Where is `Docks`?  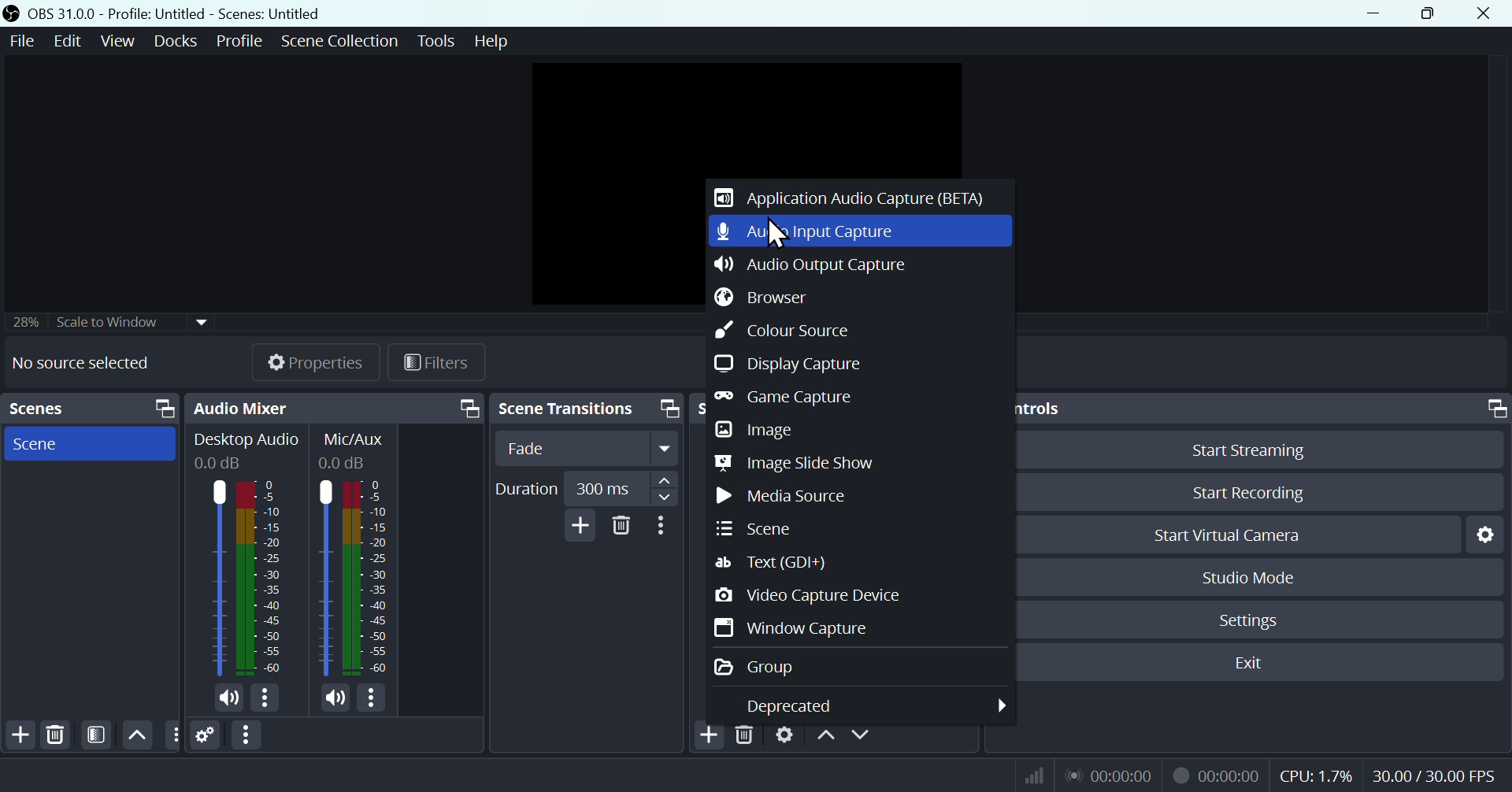
Docks is located at coordinates (179, 41).